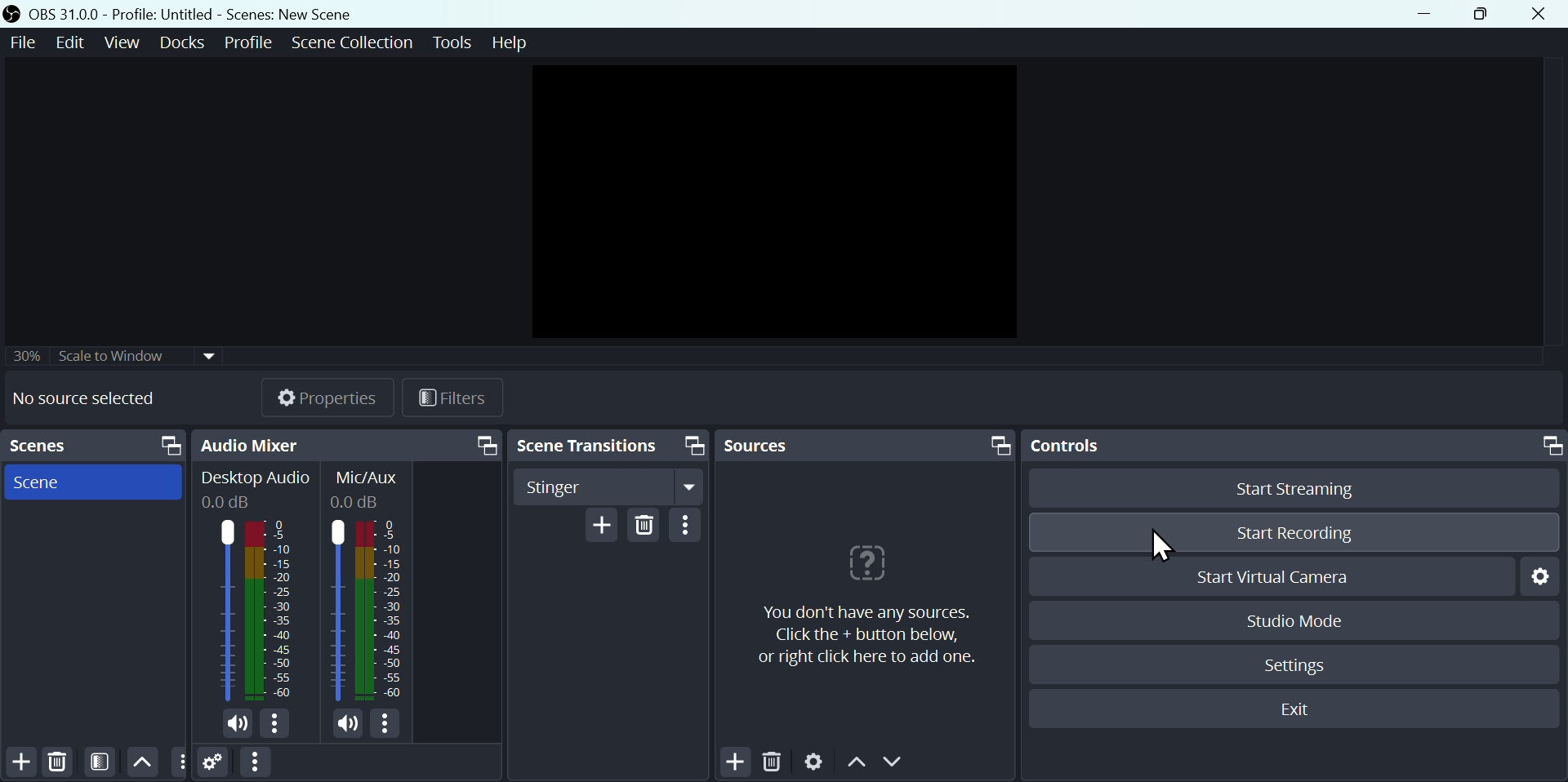 The width and height of the screenshot is (1568, 782). What do you see at coordinates (770, 762) in the screenshot?
I see `Delete` at bounding box center [770, 762].